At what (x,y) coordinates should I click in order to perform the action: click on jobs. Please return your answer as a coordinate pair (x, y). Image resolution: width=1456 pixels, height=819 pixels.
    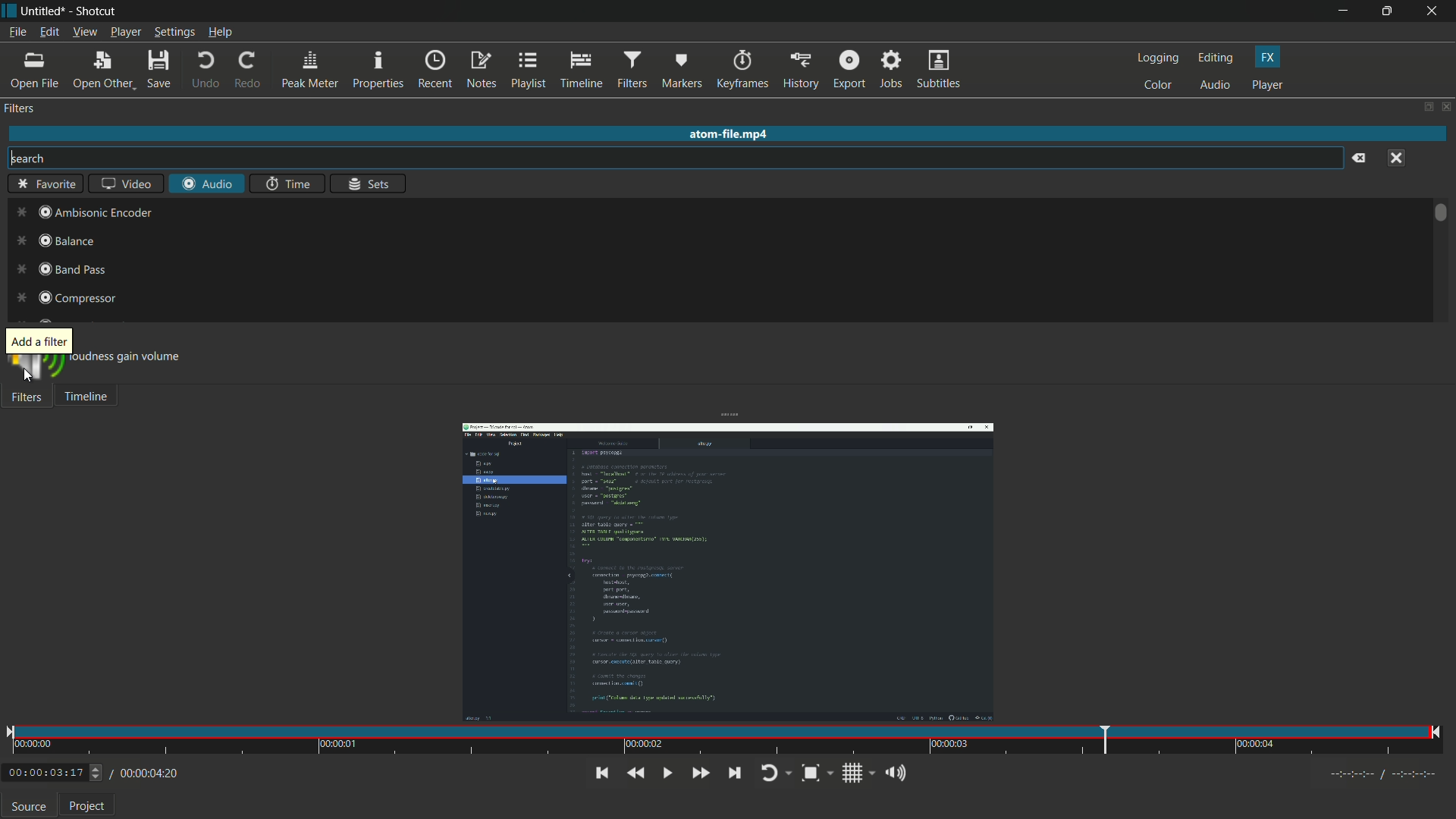
    Looking at the image, I should click on (893, 71).